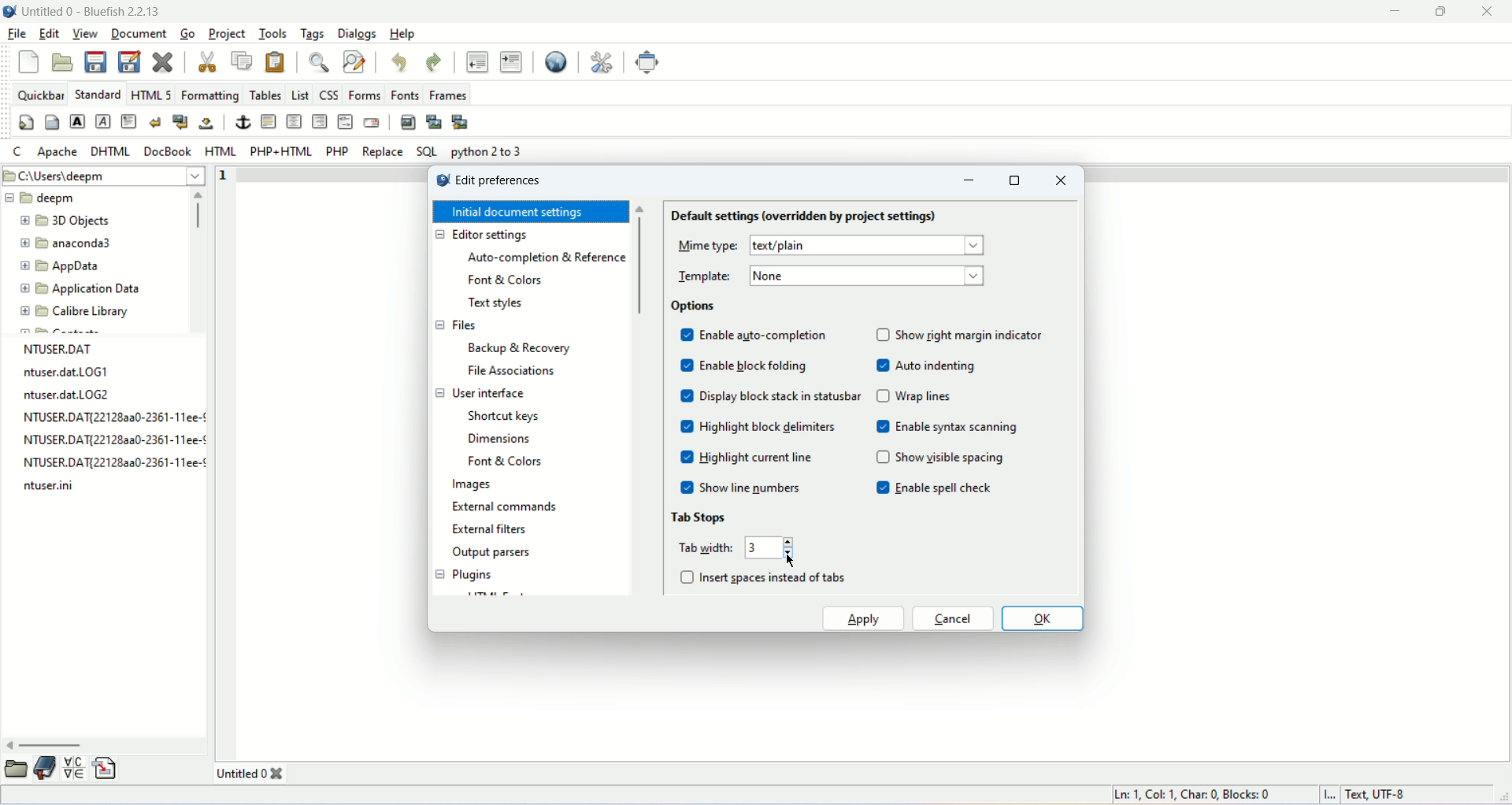 The height and width of the screenshot is (805, 1512). What do you see at coordinates (1373, 796) in the screenshot?
I see `text, UTF-8` at bounding box center [1373, 796].